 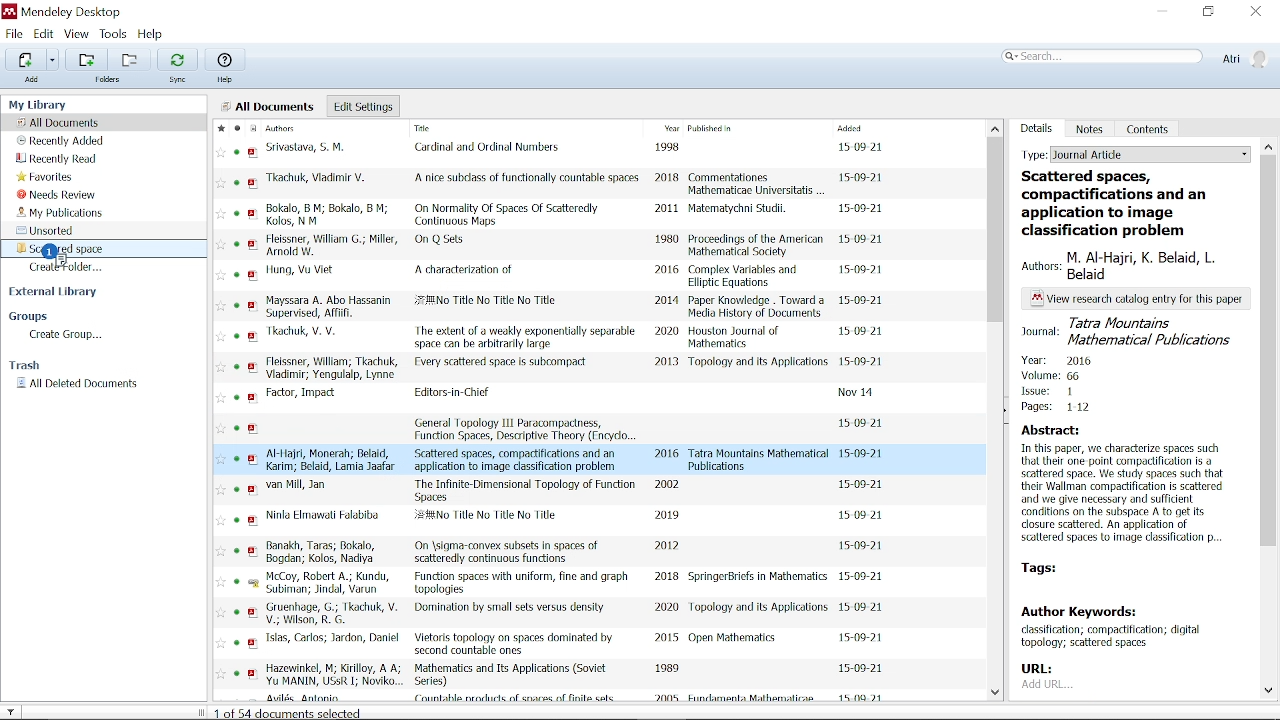 What do you see at coordinates (667, 180) in the screenshot?
I see `2018` at bounding box center [667, 180].